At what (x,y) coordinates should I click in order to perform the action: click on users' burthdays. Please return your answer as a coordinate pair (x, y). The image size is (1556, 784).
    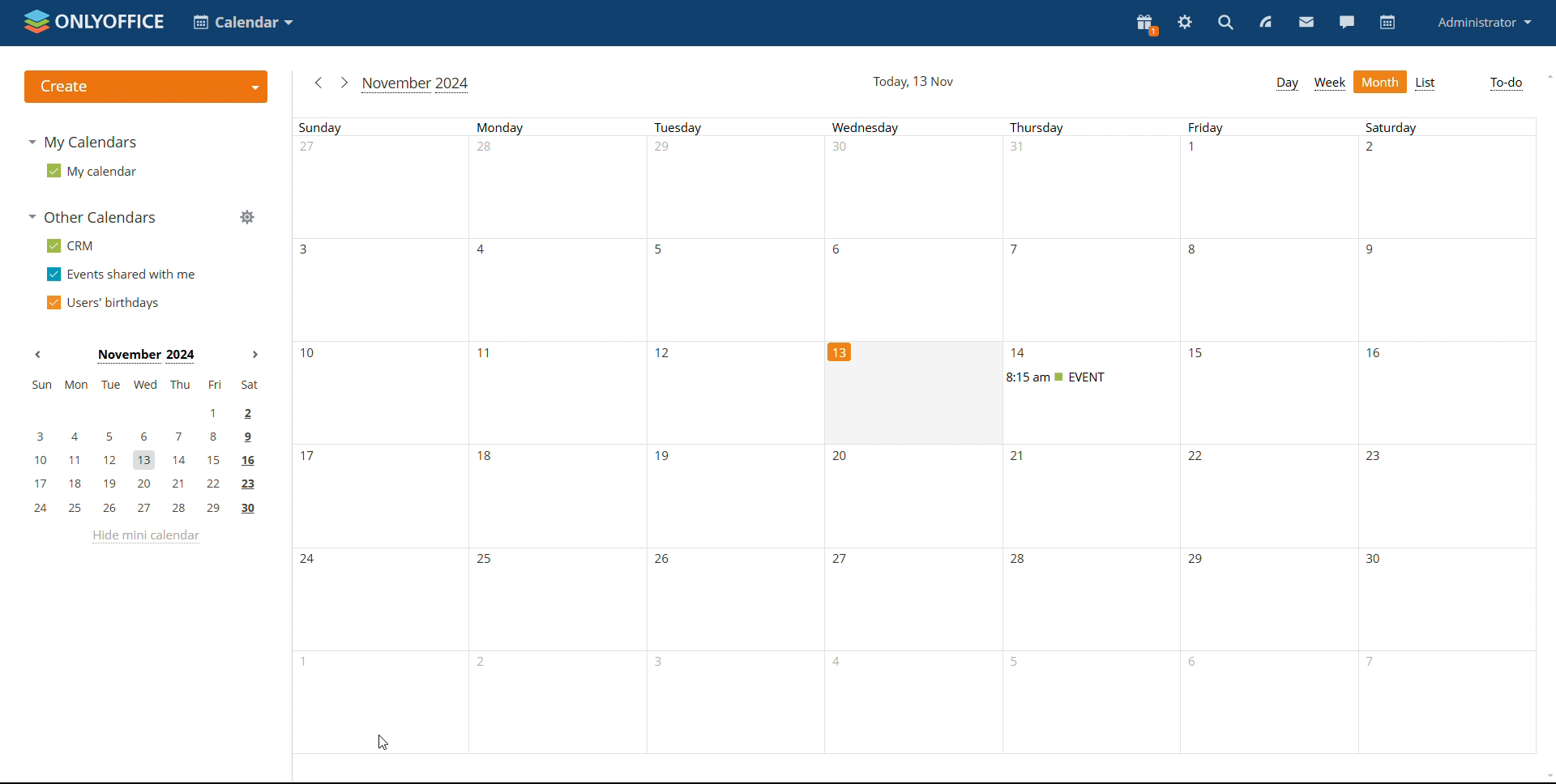
    Looking at the image, I should click on (106, 301).